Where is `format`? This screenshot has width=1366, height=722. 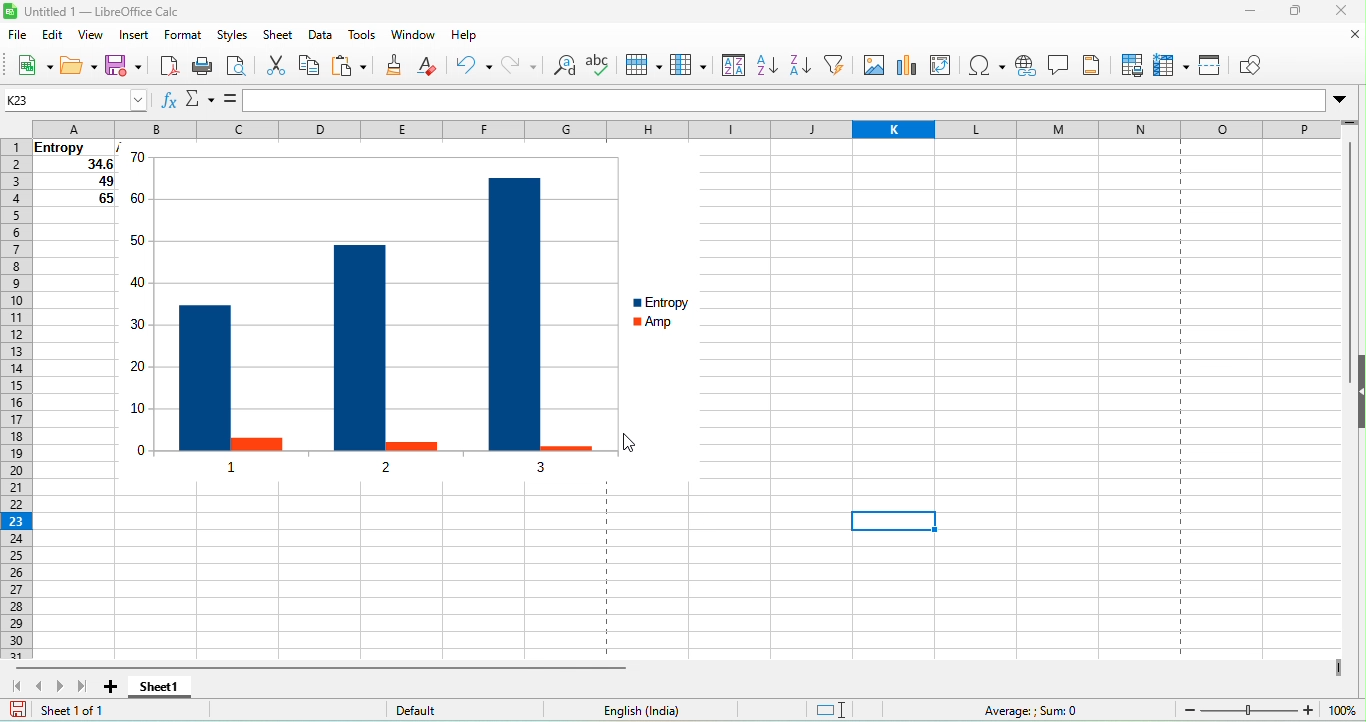 format is located at coordinates (187, 39).